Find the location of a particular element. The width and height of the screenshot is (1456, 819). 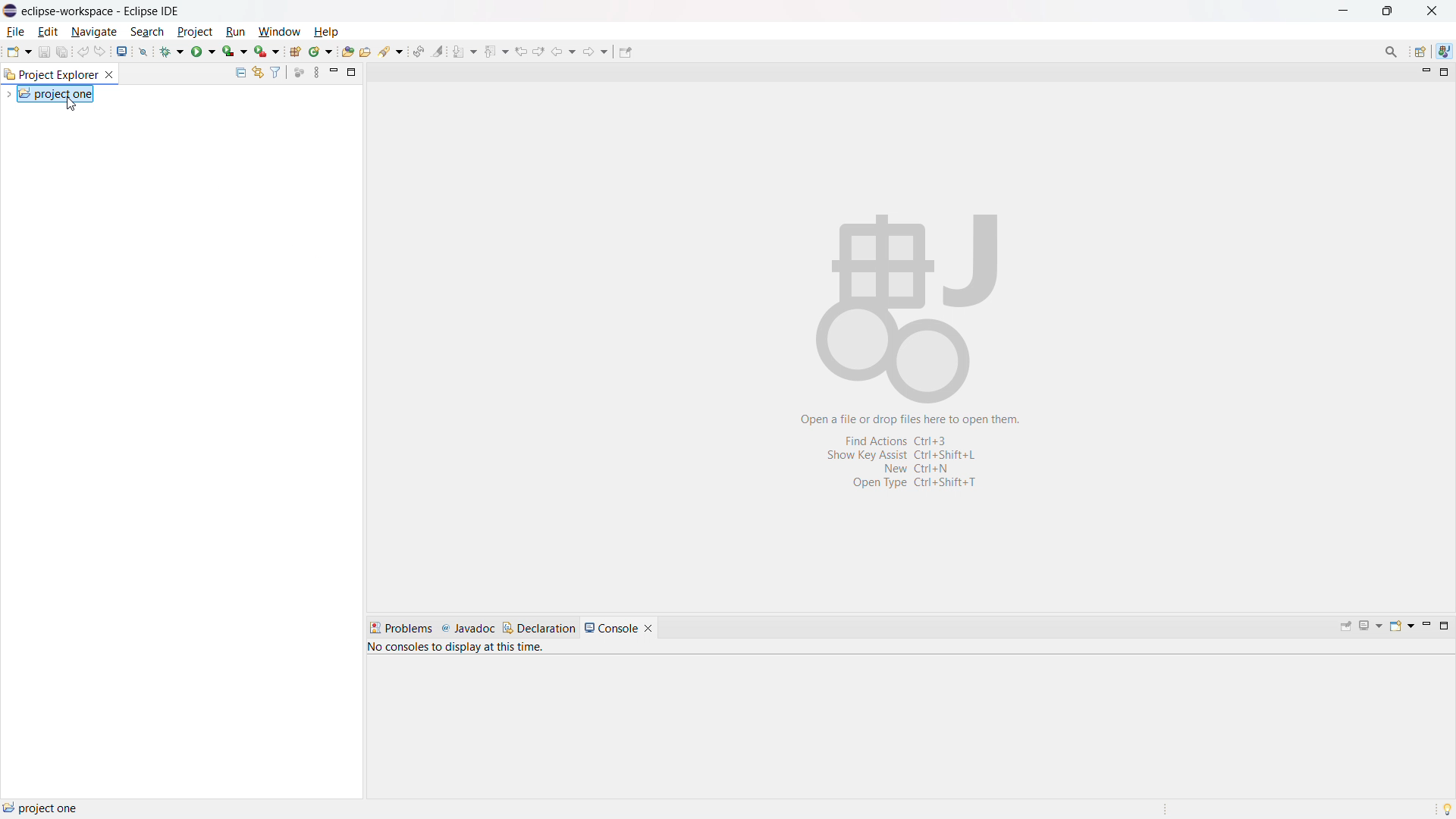

window is located at coordinates (278, 33).